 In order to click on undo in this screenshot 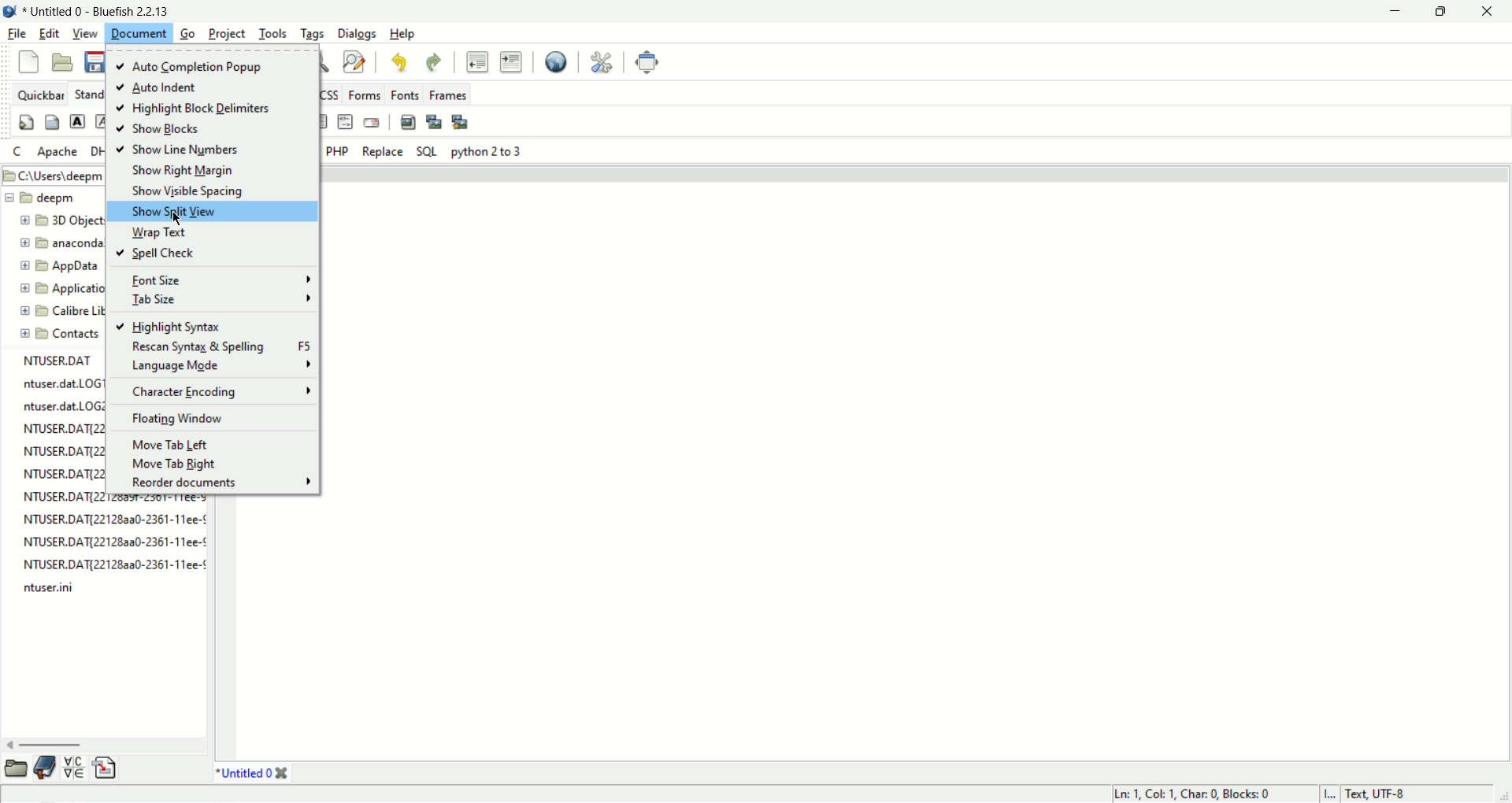, I will do `click(401, 62)`.